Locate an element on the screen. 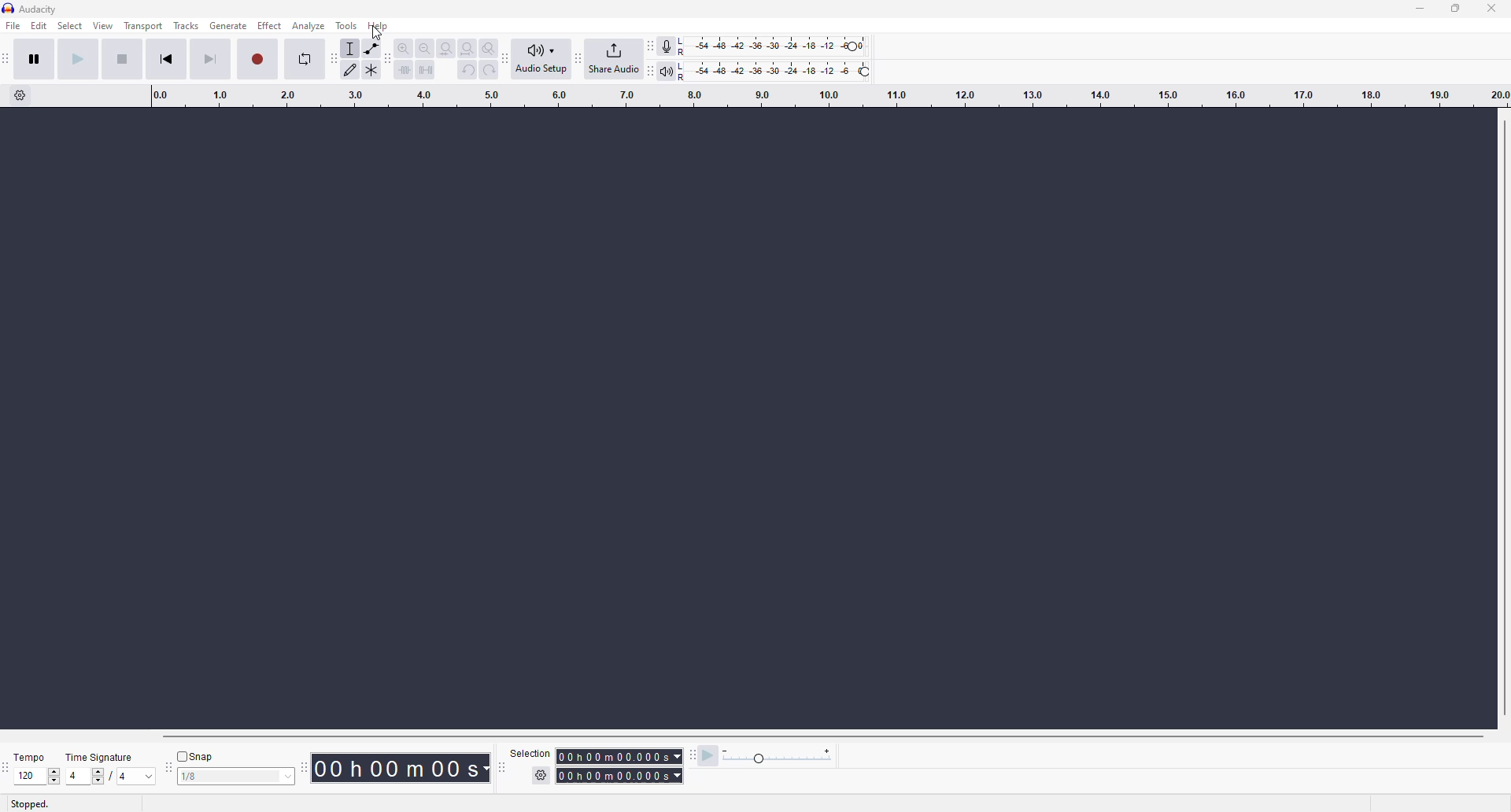  audacity audio setup toolbar is located at coordinates (508, 56).